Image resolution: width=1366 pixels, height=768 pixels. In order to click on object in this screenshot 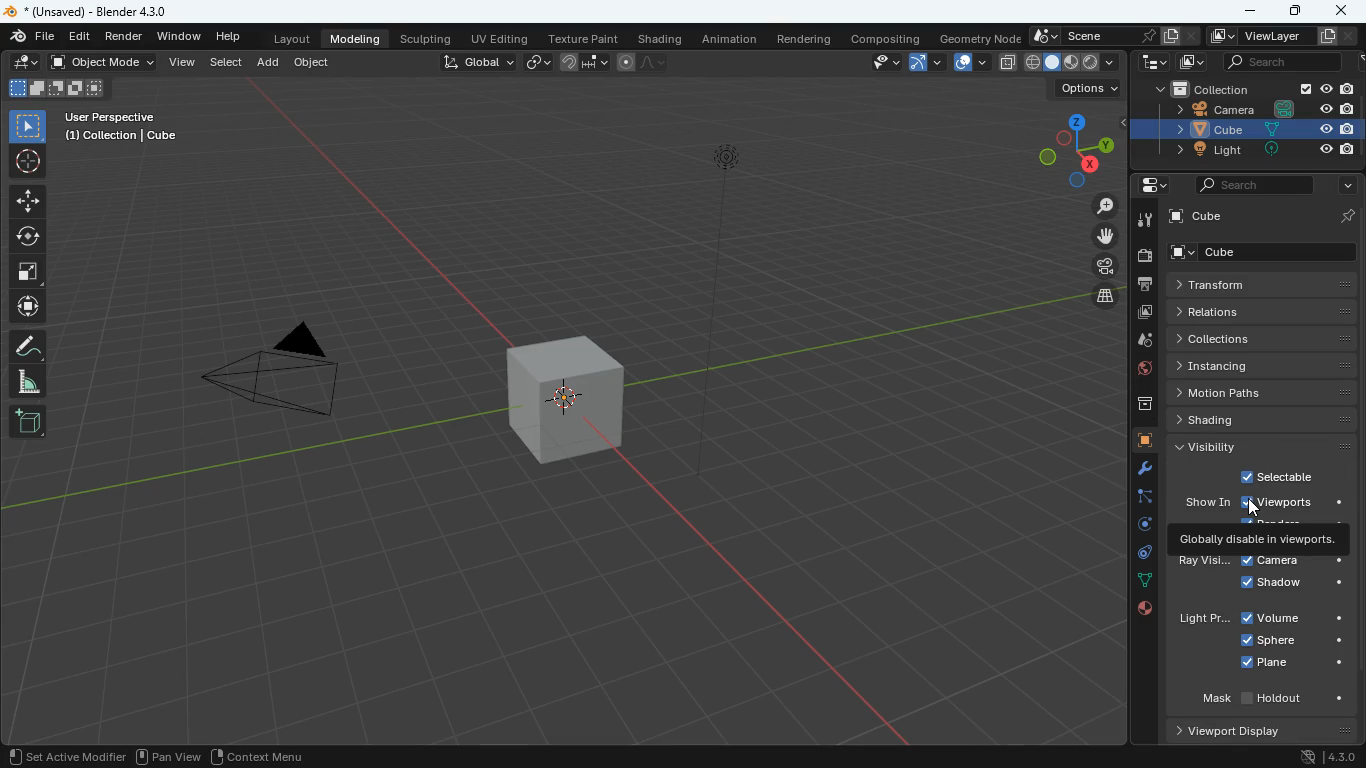, I will do `click(312, 61)`.